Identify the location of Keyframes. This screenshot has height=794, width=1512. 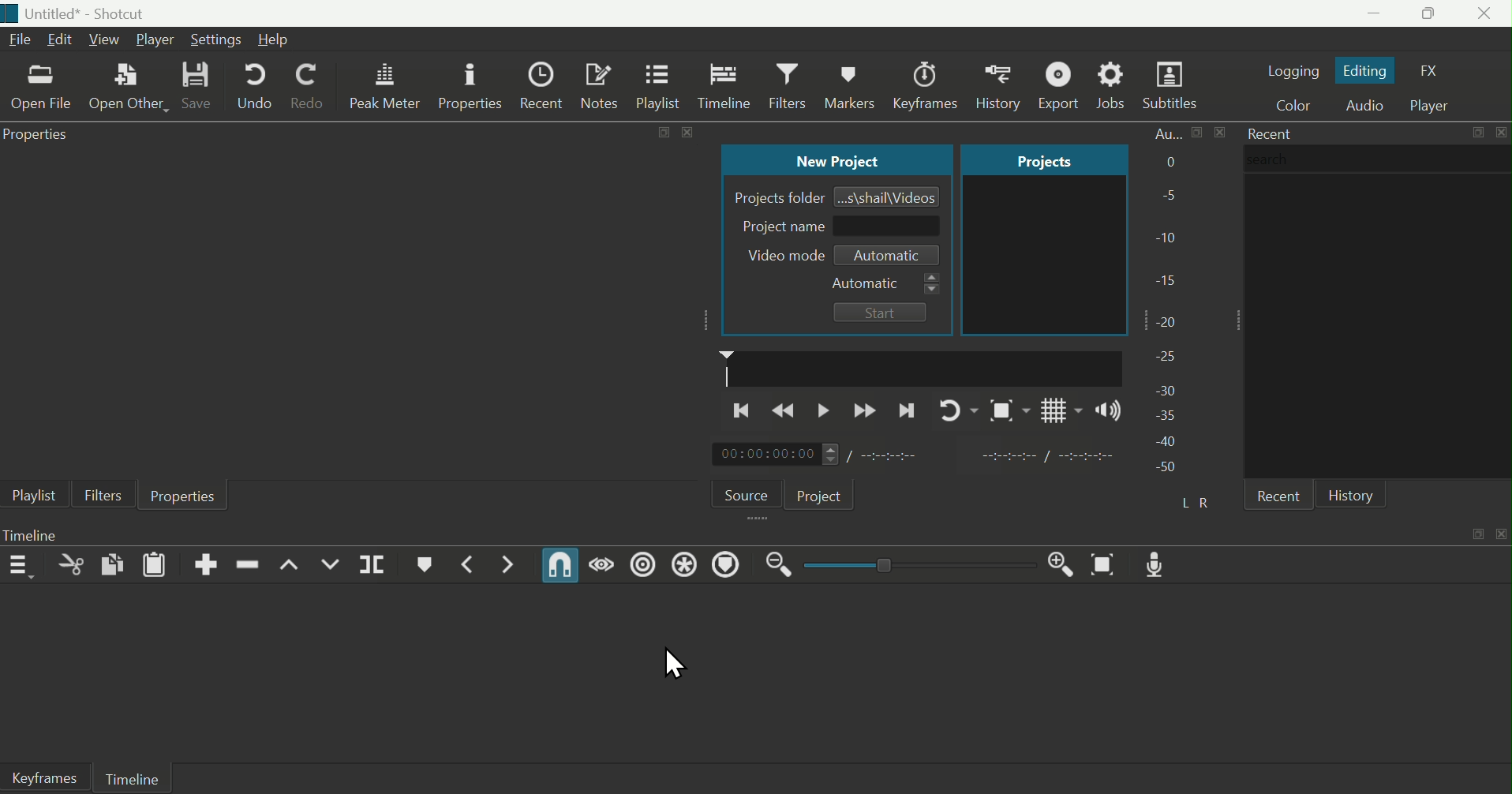
(997, 83).